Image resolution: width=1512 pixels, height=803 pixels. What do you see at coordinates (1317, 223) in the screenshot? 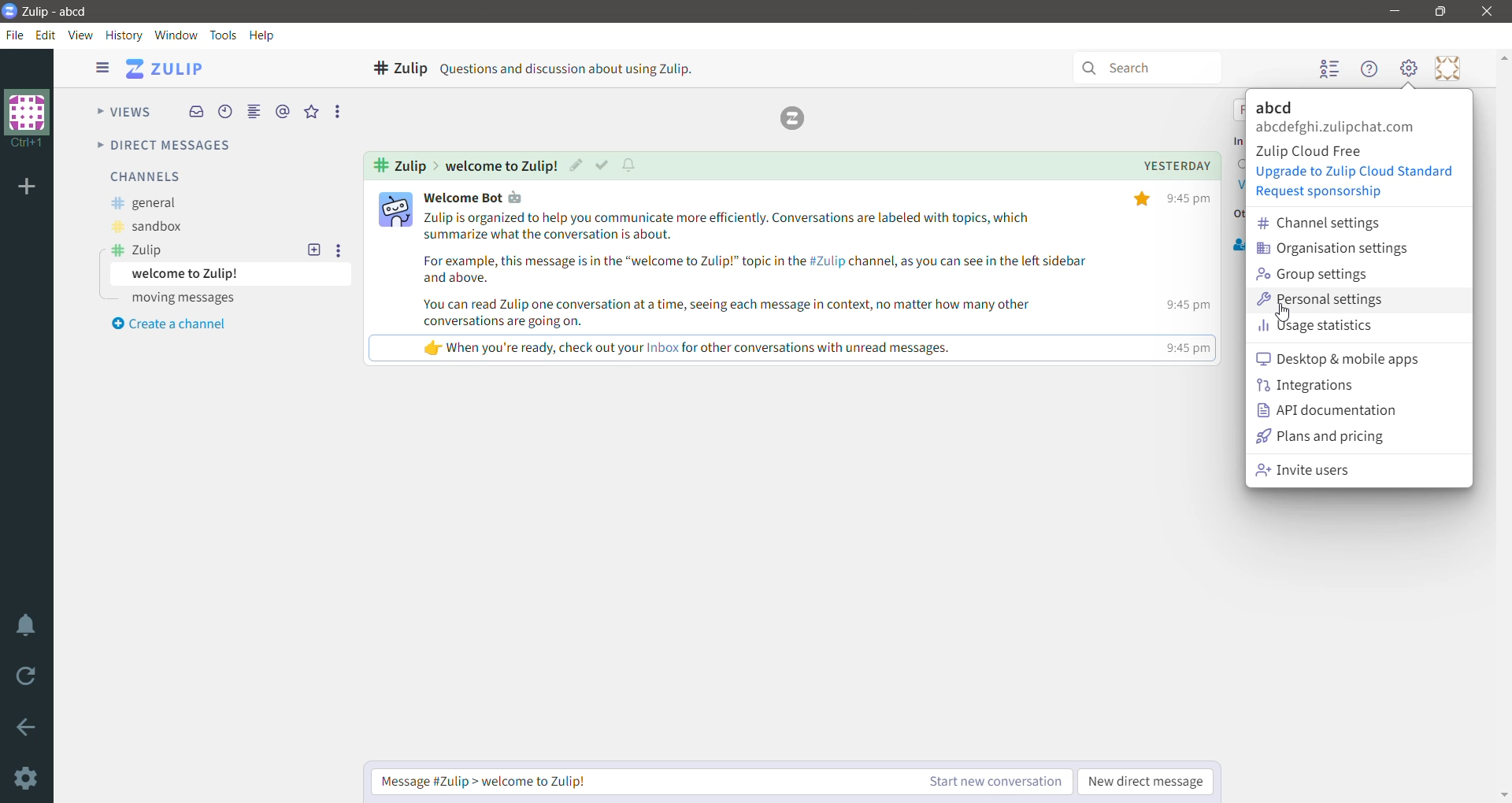
I see `Channel settings` at bounding box center [1317, 223].